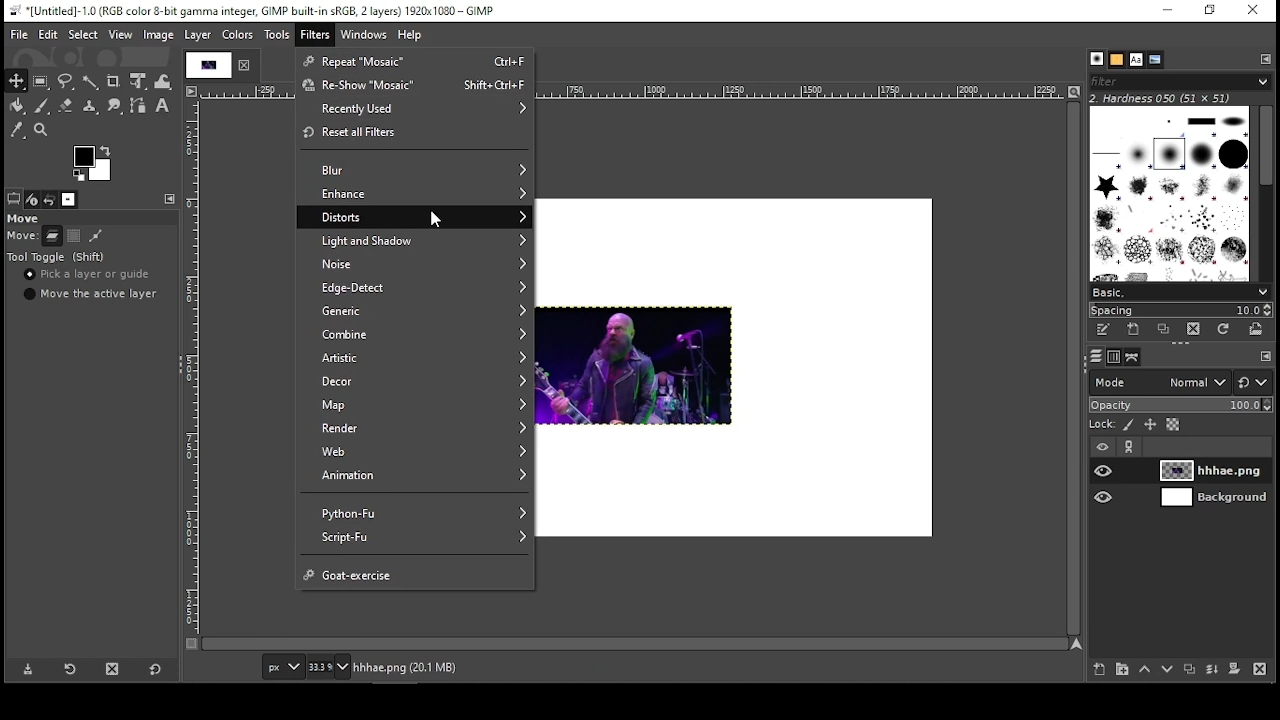 The width and height of the screenshot is (1280, 720). What do you see at coordinates (406, 667) in the screenshot?
I see `hhhae.png (20.1 mb)` at bounding box center [406, 667].